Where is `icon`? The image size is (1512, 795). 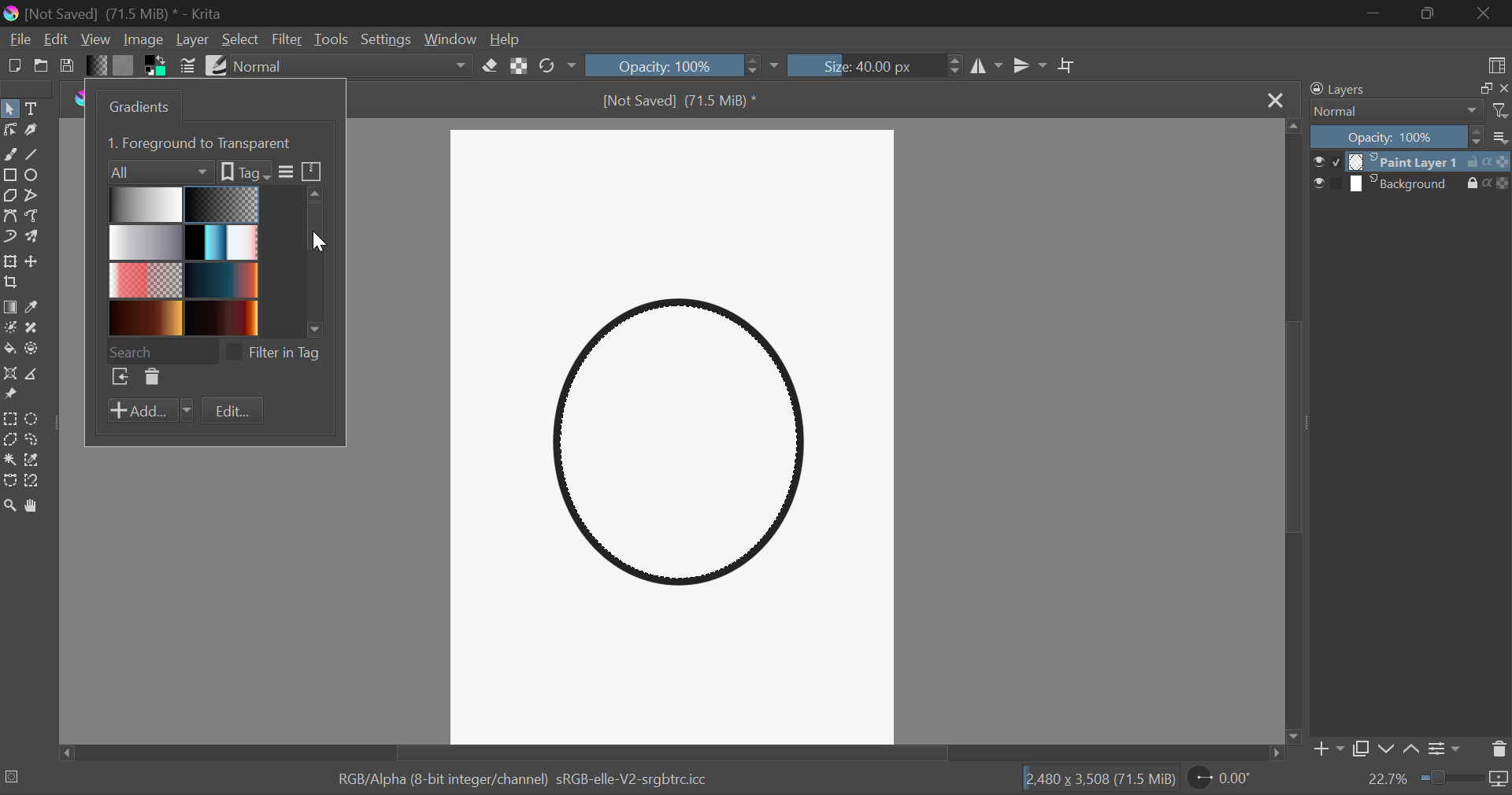
icon is located at coordinates (313, 170).